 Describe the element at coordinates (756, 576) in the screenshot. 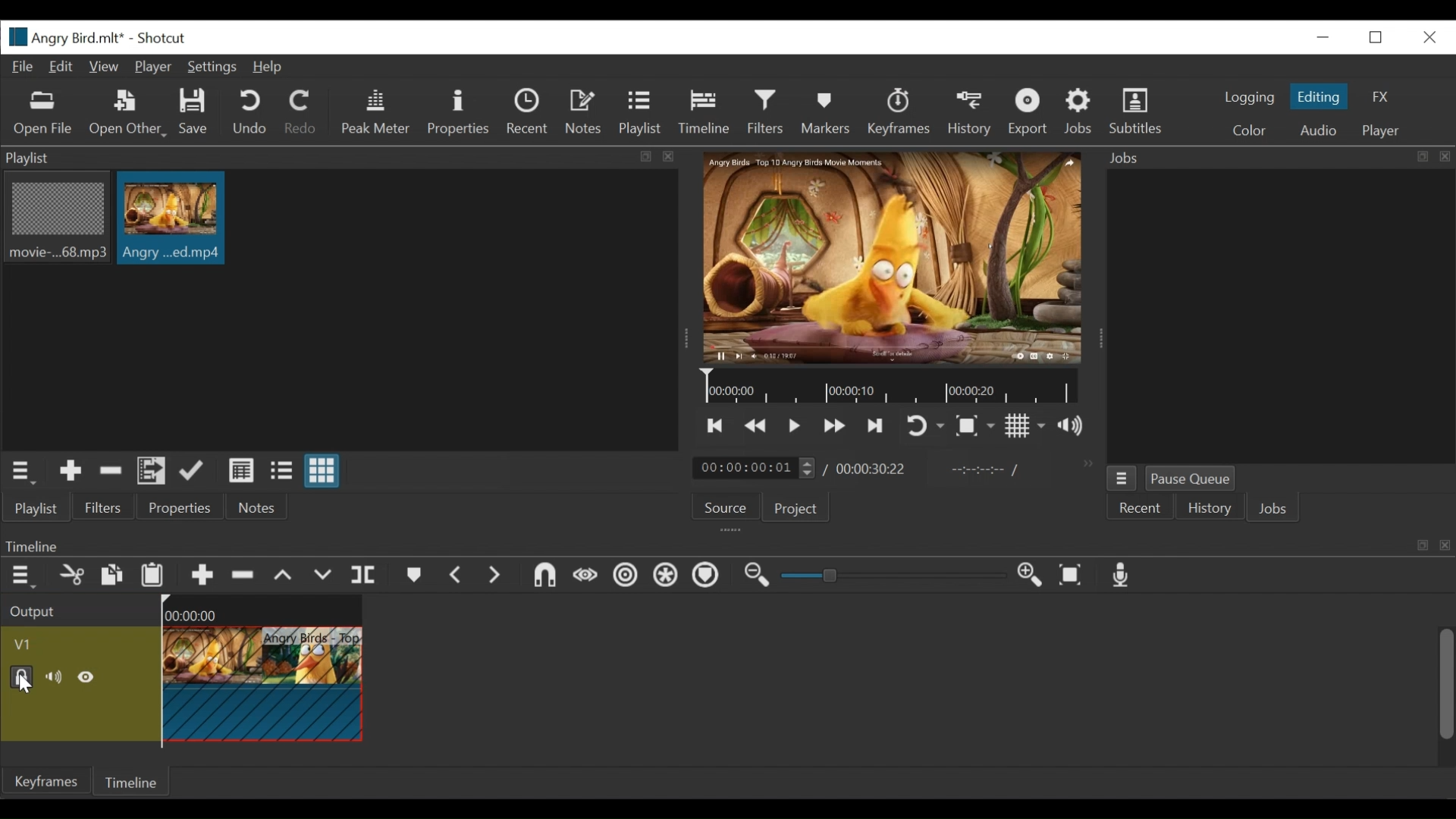

I see `Zoom timeline out` at that location.